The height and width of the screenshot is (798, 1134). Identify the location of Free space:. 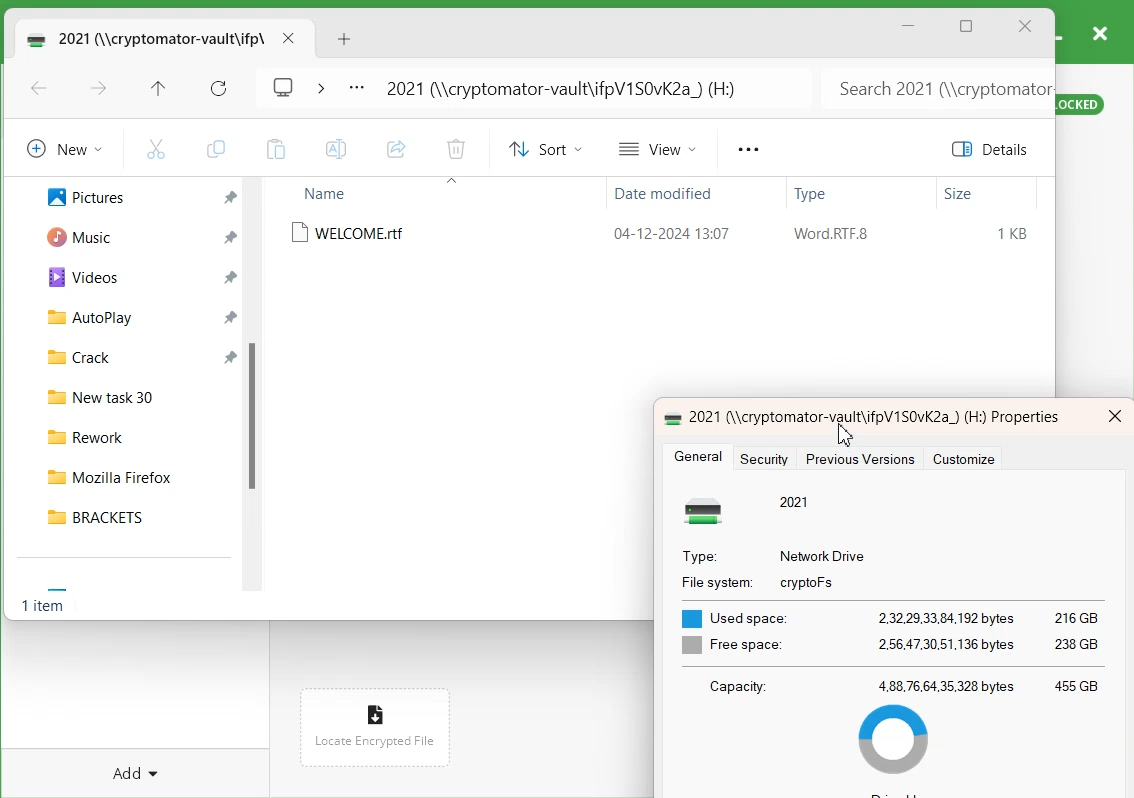
(733, 645).